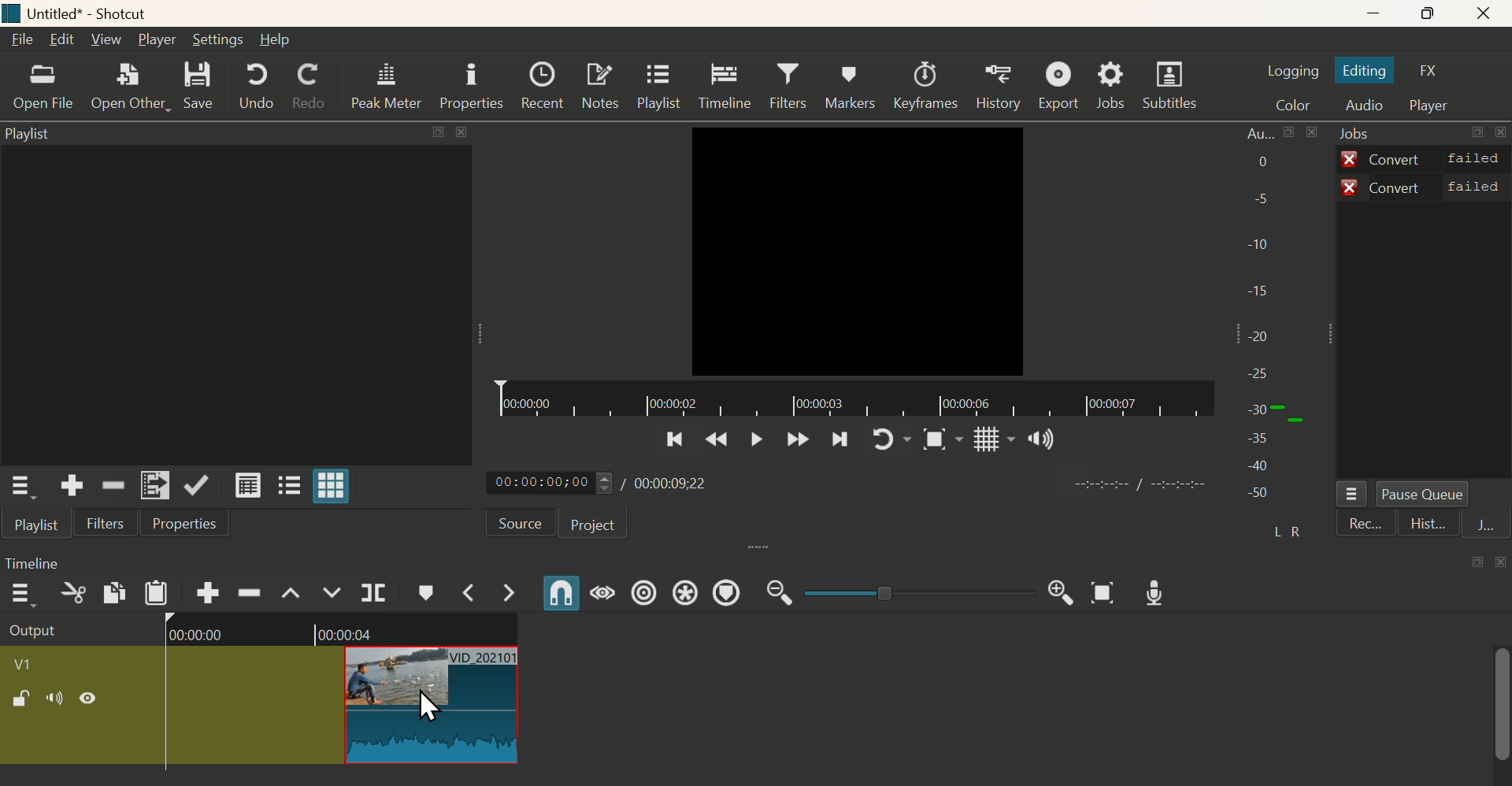  What do you see at coordinates (510, 595) in the screenshot?
I see `` at bounding box center [510, 595].